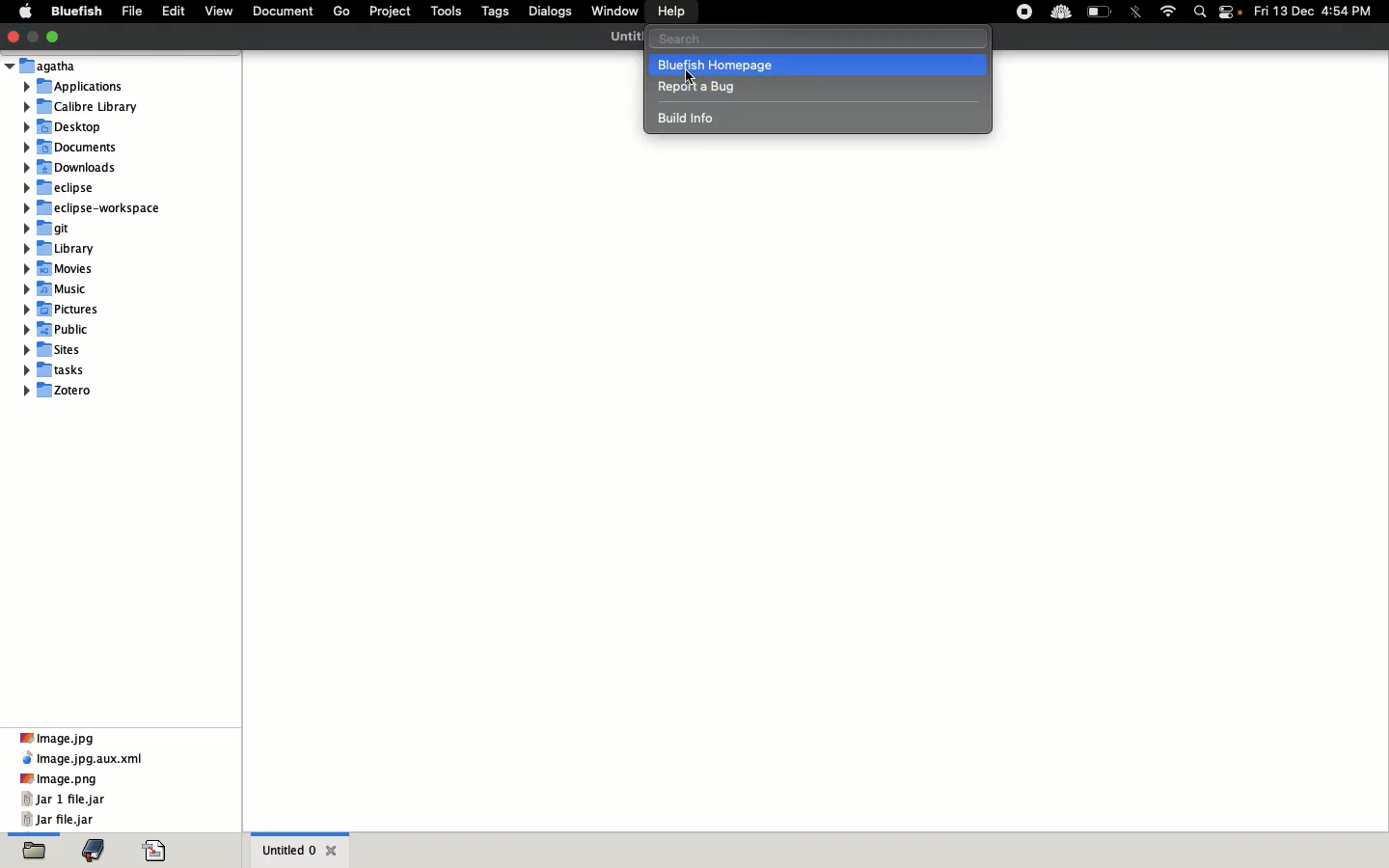 This screenshot has width=1389, height=868. What do you see at coordinates (153, 850) in the screenshot?
I see `PDF viewer` at bounding box center [153, 850].